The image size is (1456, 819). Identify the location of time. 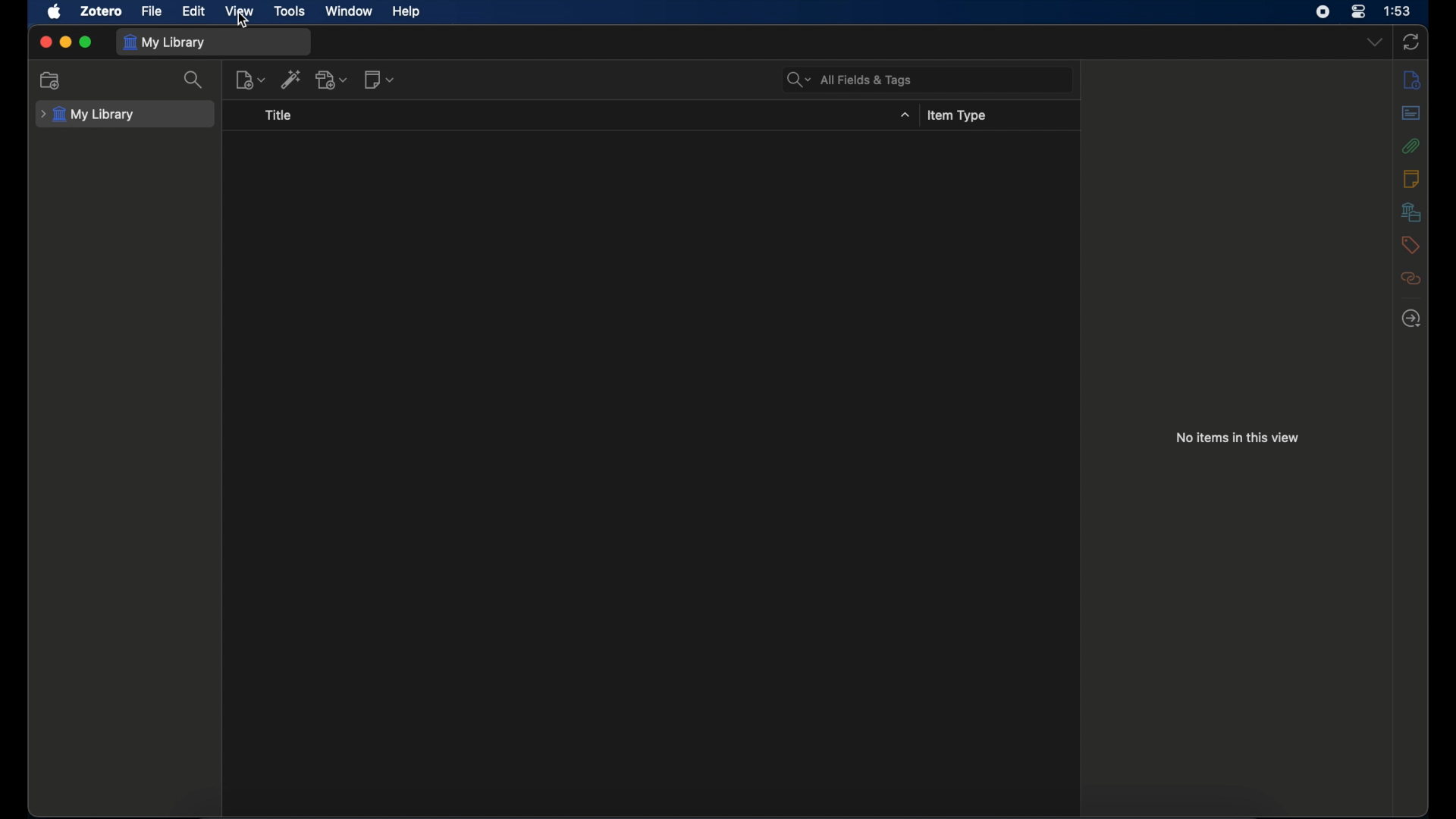
(1397, 10).